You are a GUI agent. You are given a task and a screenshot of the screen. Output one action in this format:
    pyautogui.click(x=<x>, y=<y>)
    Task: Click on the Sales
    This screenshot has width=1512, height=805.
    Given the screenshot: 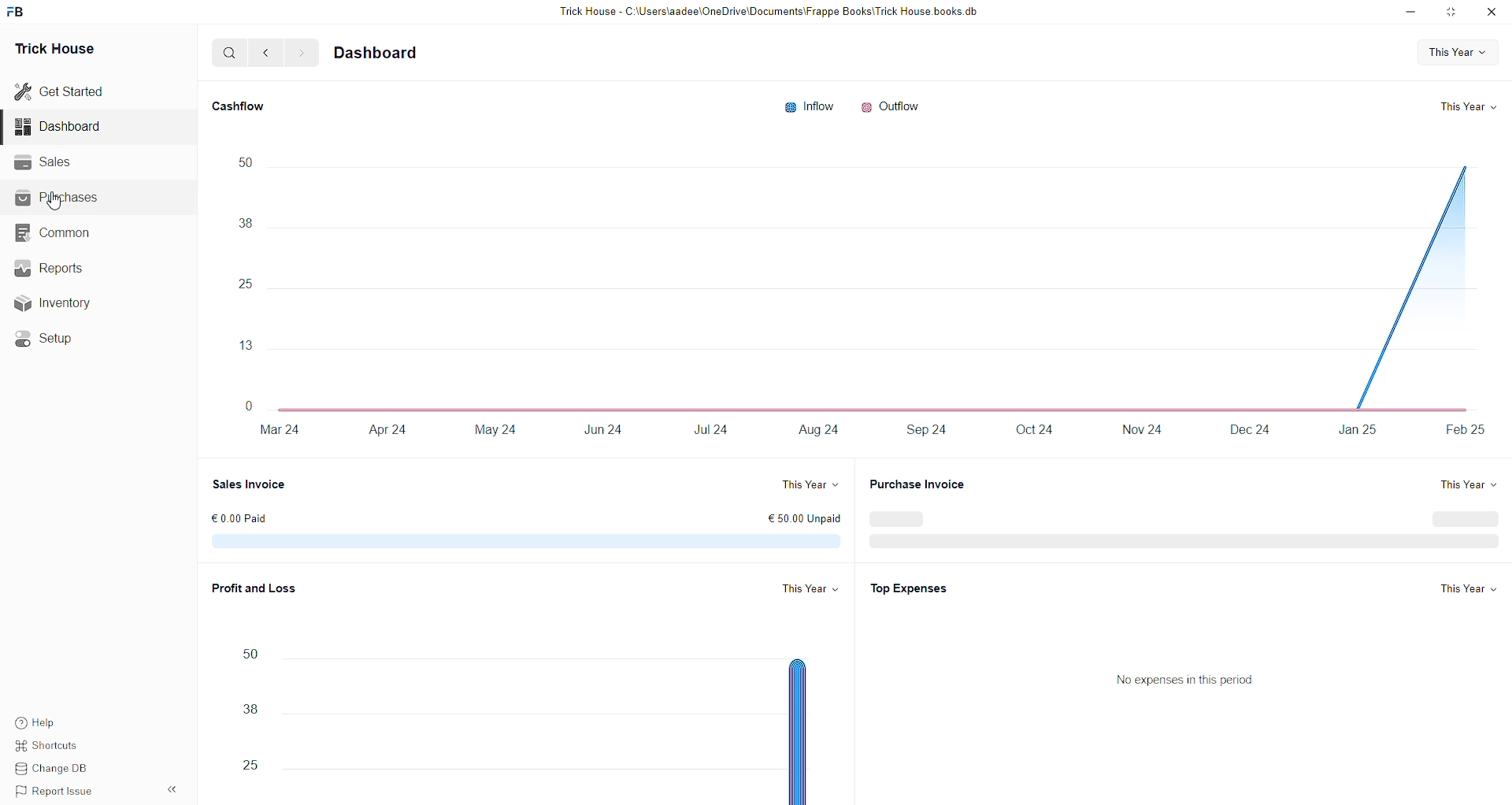 What is the action you would take?
    pyautogui.click(x=45, y=161)
    